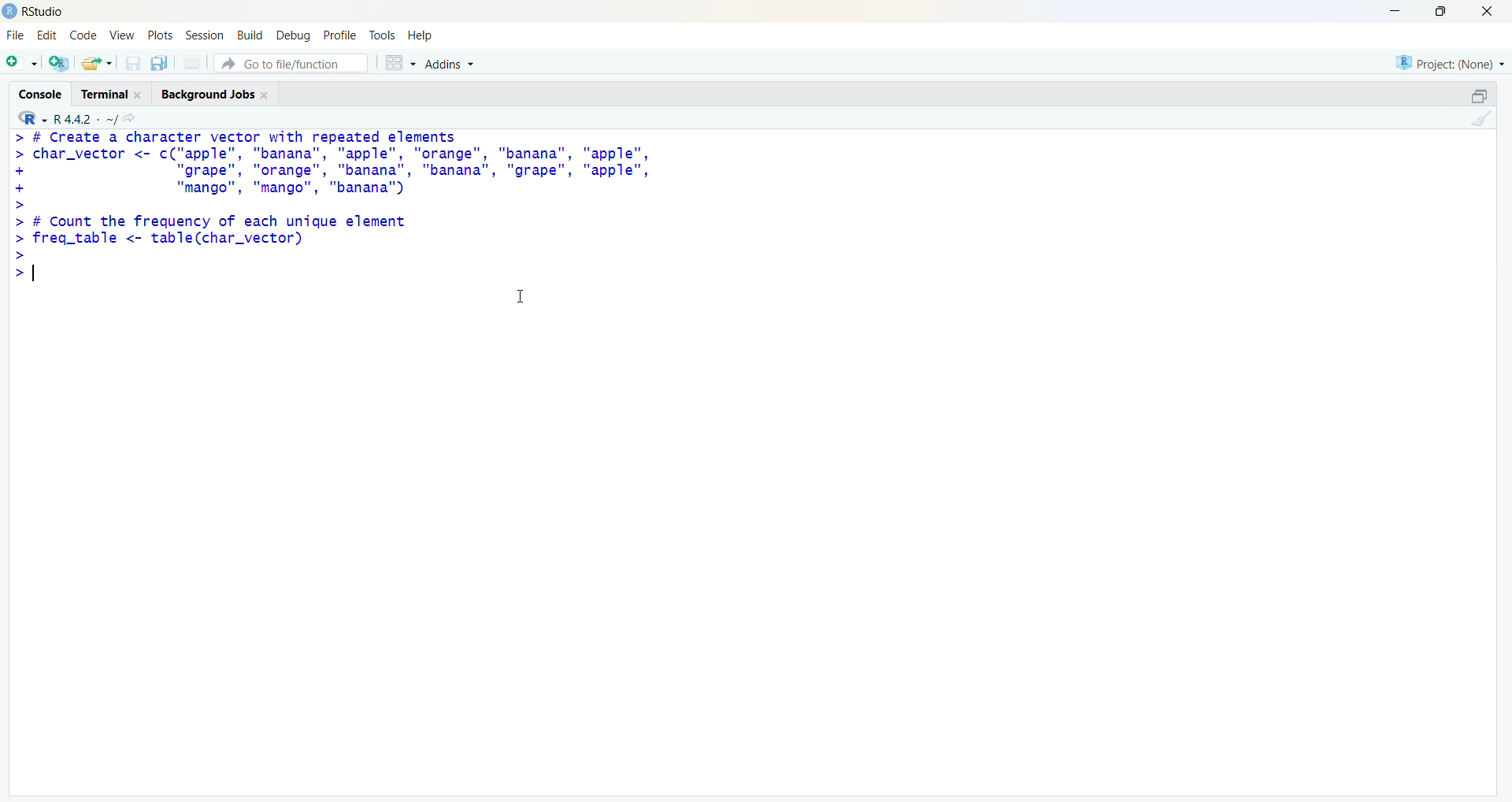 This screenshot has height=802, width=1512. I want to click on Session, so click(206, 35).